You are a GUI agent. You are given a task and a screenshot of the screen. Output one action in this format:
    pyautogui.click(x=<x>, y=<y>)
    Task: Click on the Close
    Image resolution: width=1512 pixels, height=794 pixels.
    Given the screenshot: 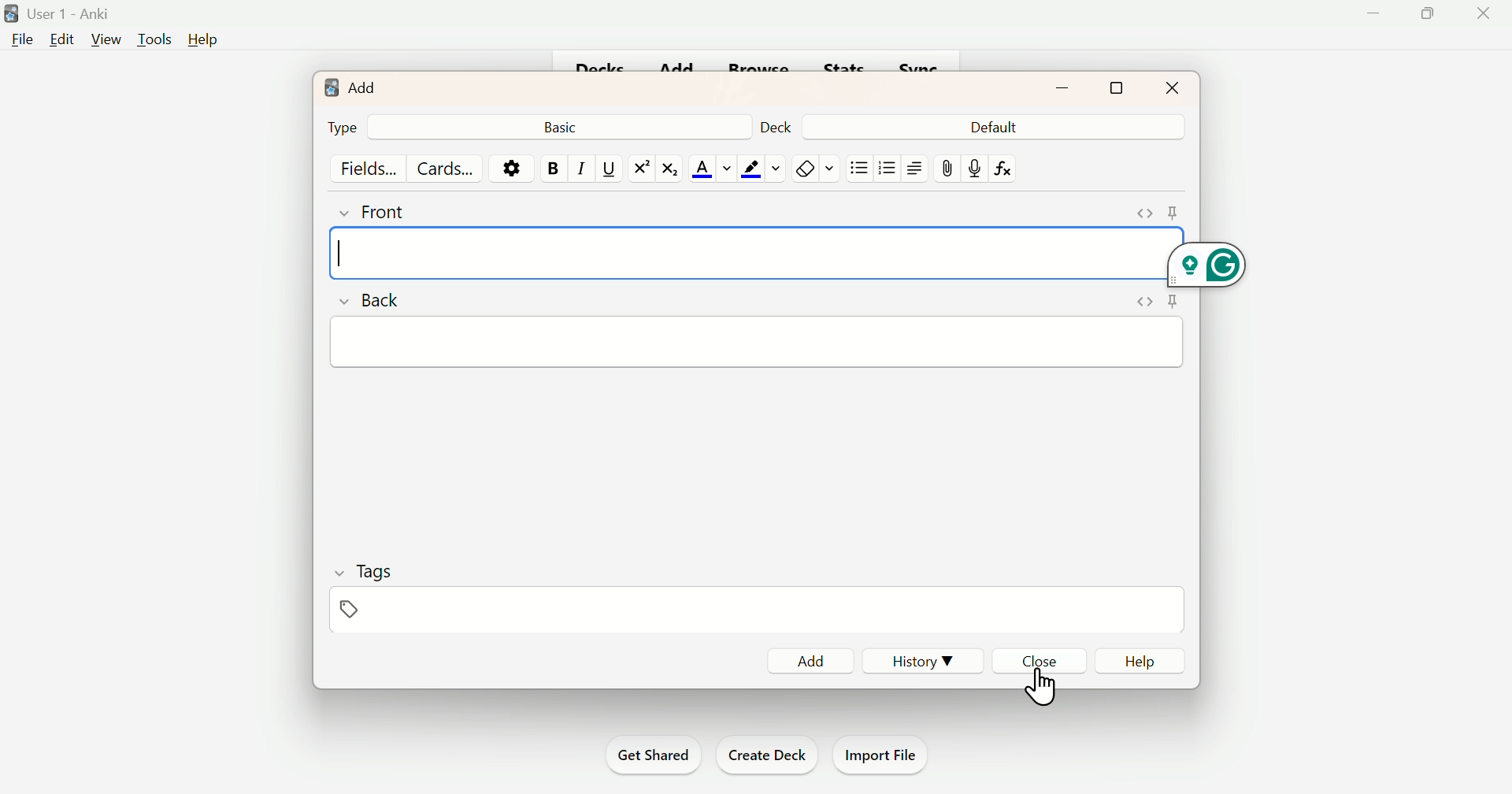 What is the action you would take?
    pyautogui.click(x=1044, y=679)
    